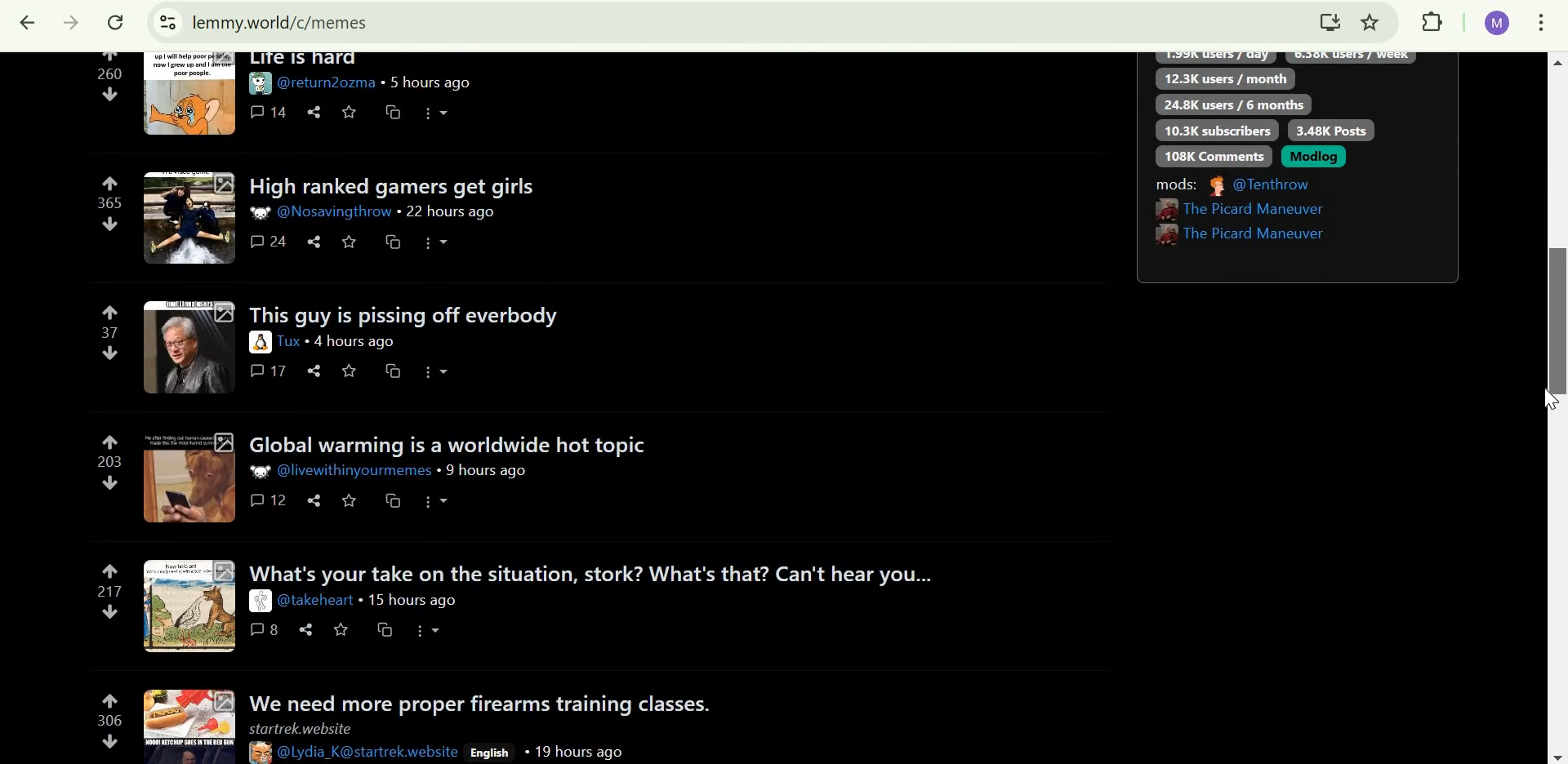 This screenshot has width=1568, height=764. I want to click on save, so click(341, 629).